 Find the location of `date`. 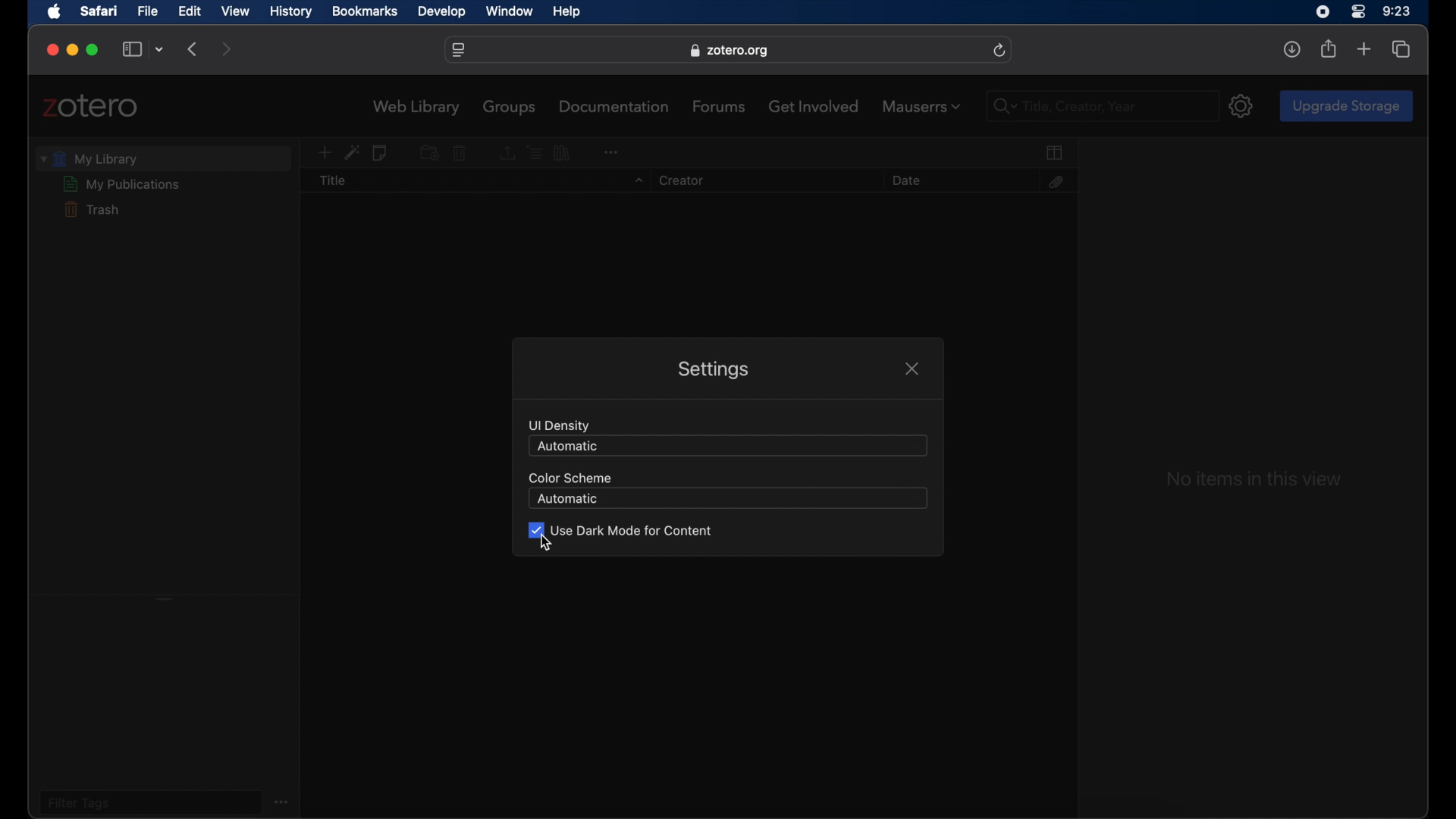

date is located at coordinates (905, 180).